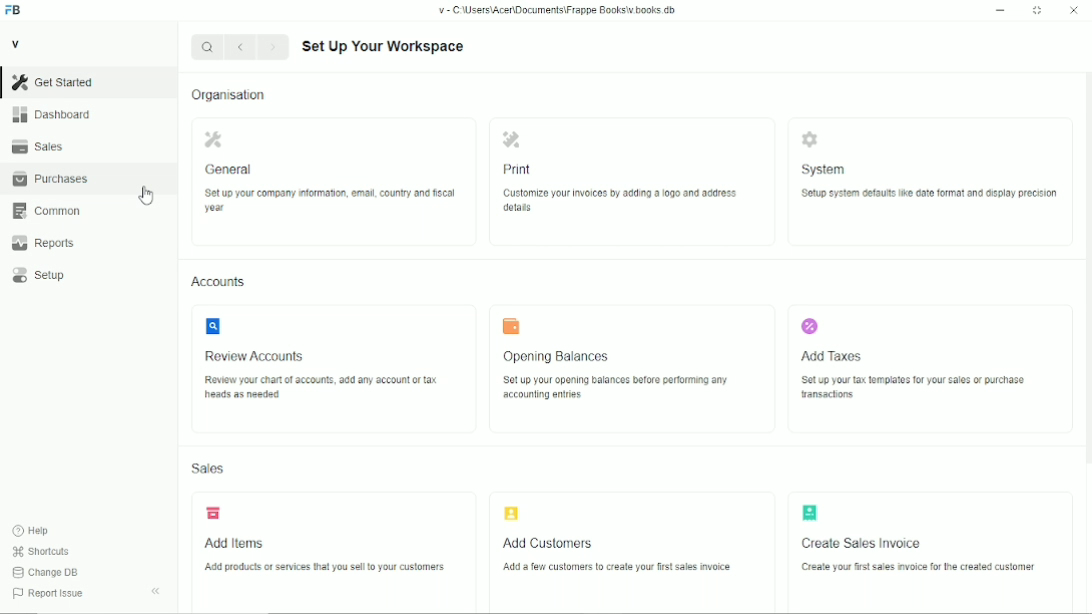 Image resolution: width=1092 pixels, height=614 pixels. What do you see at coordinates (52, 212) in the screenshot?
I see `Common` at bounding box center [52, 212].